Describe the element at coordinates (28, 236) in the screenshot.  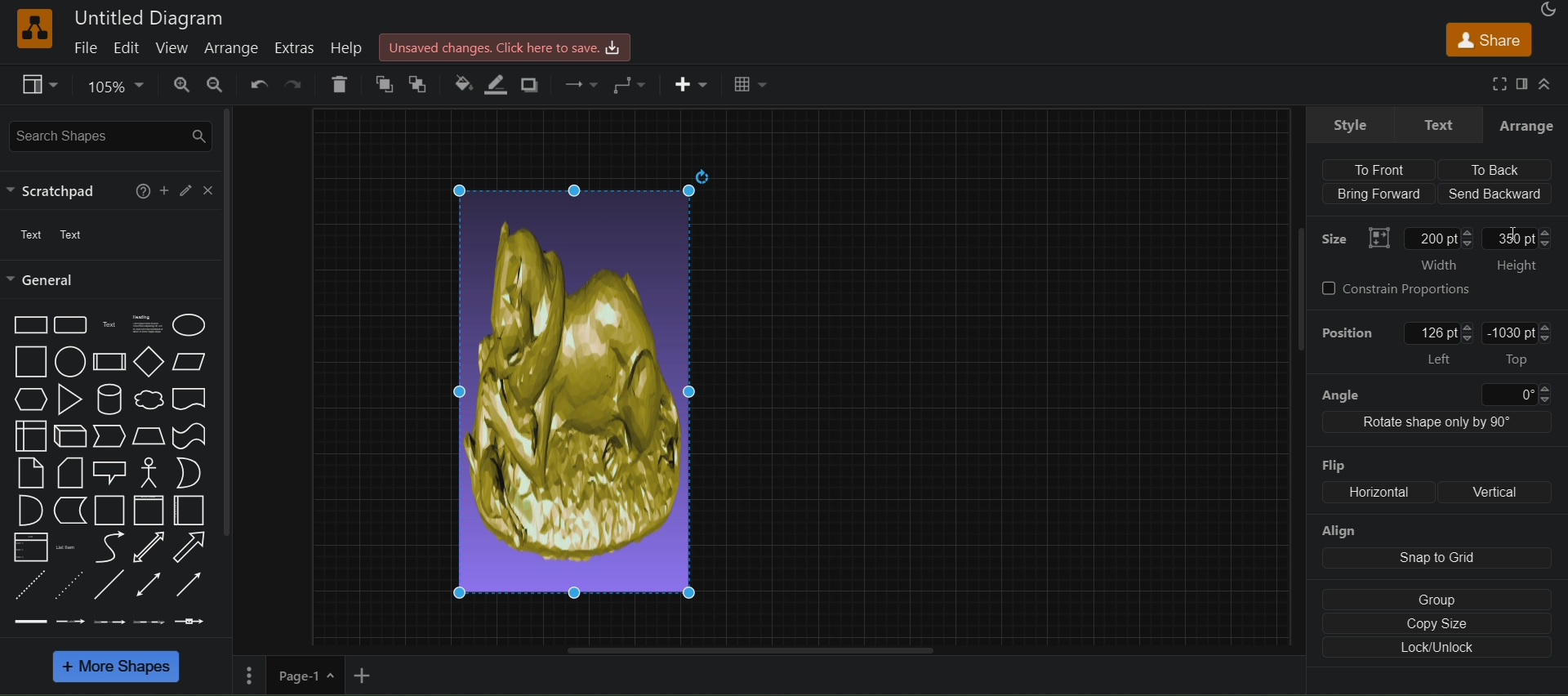
I see `text` at that location.